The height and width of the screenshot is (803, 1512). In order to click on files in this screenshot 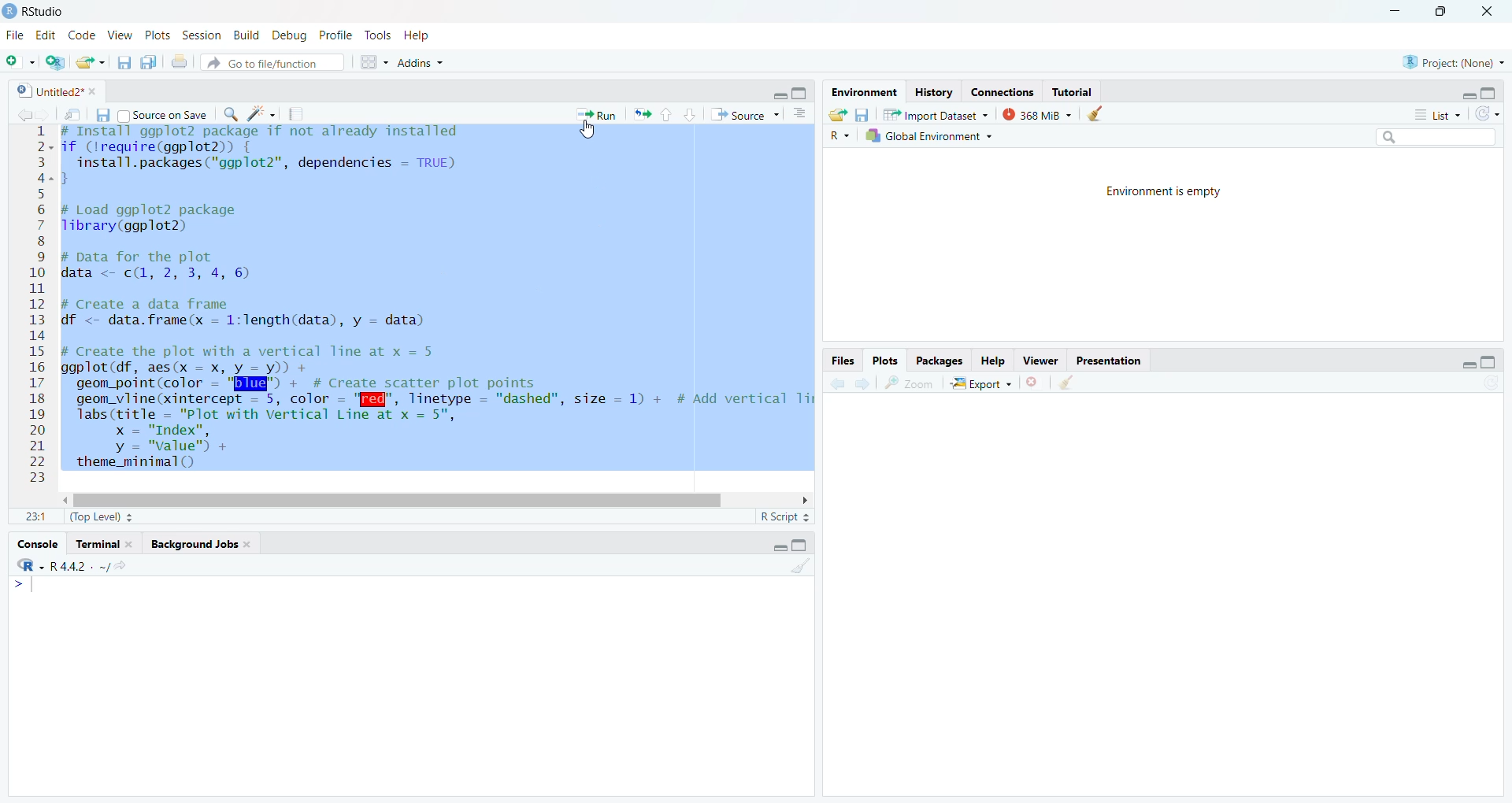, I will do `click(106, 115)`.